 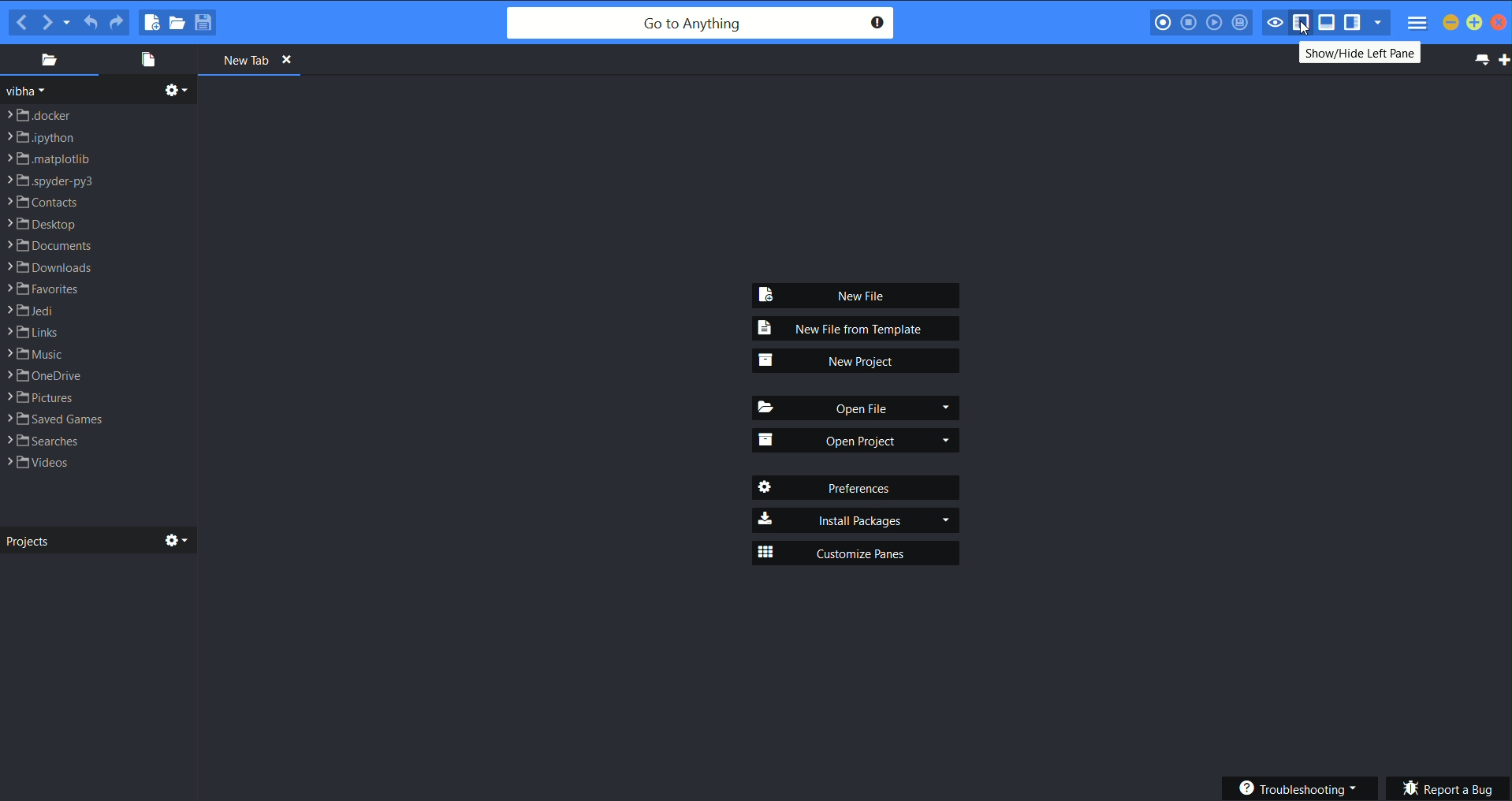 What do you see at coordinates (49, 289) in the screenshot?
I see `favourites` at bounding box center [49, 289].